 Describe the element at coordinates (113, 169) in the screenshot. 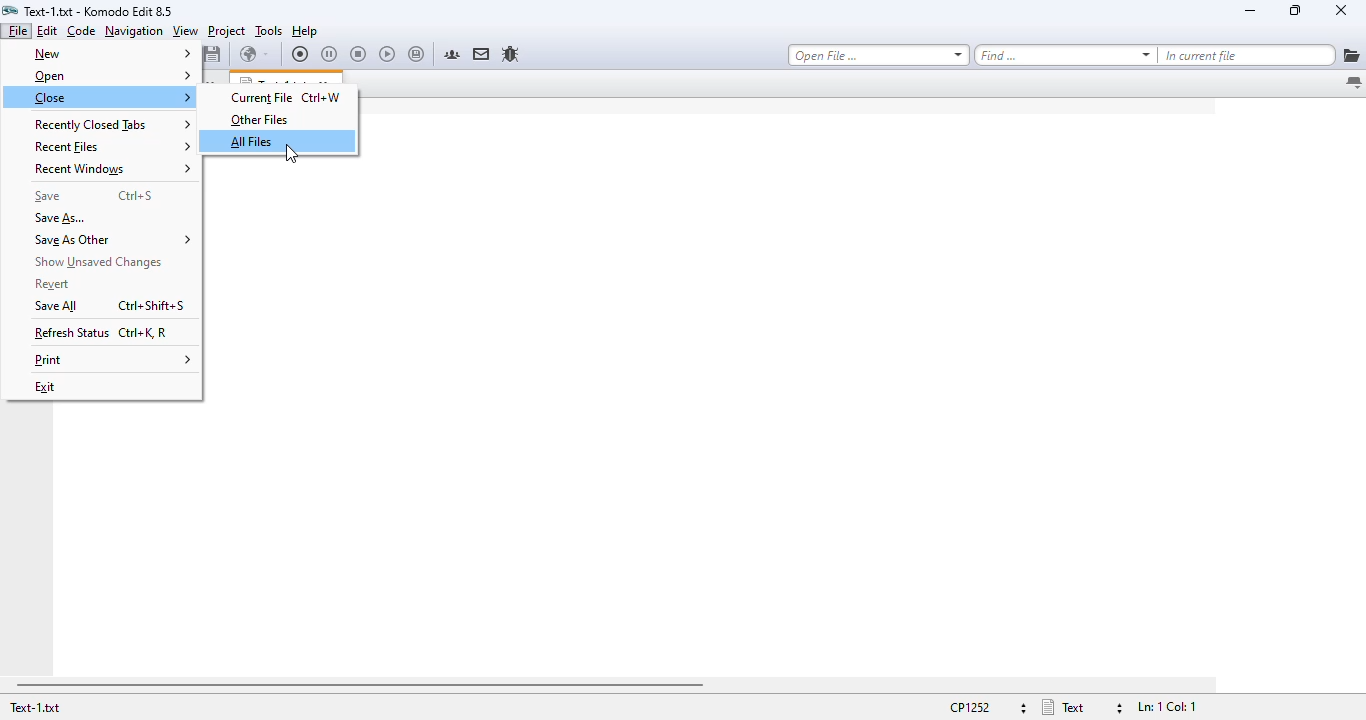

I see `recent windows` at that location.